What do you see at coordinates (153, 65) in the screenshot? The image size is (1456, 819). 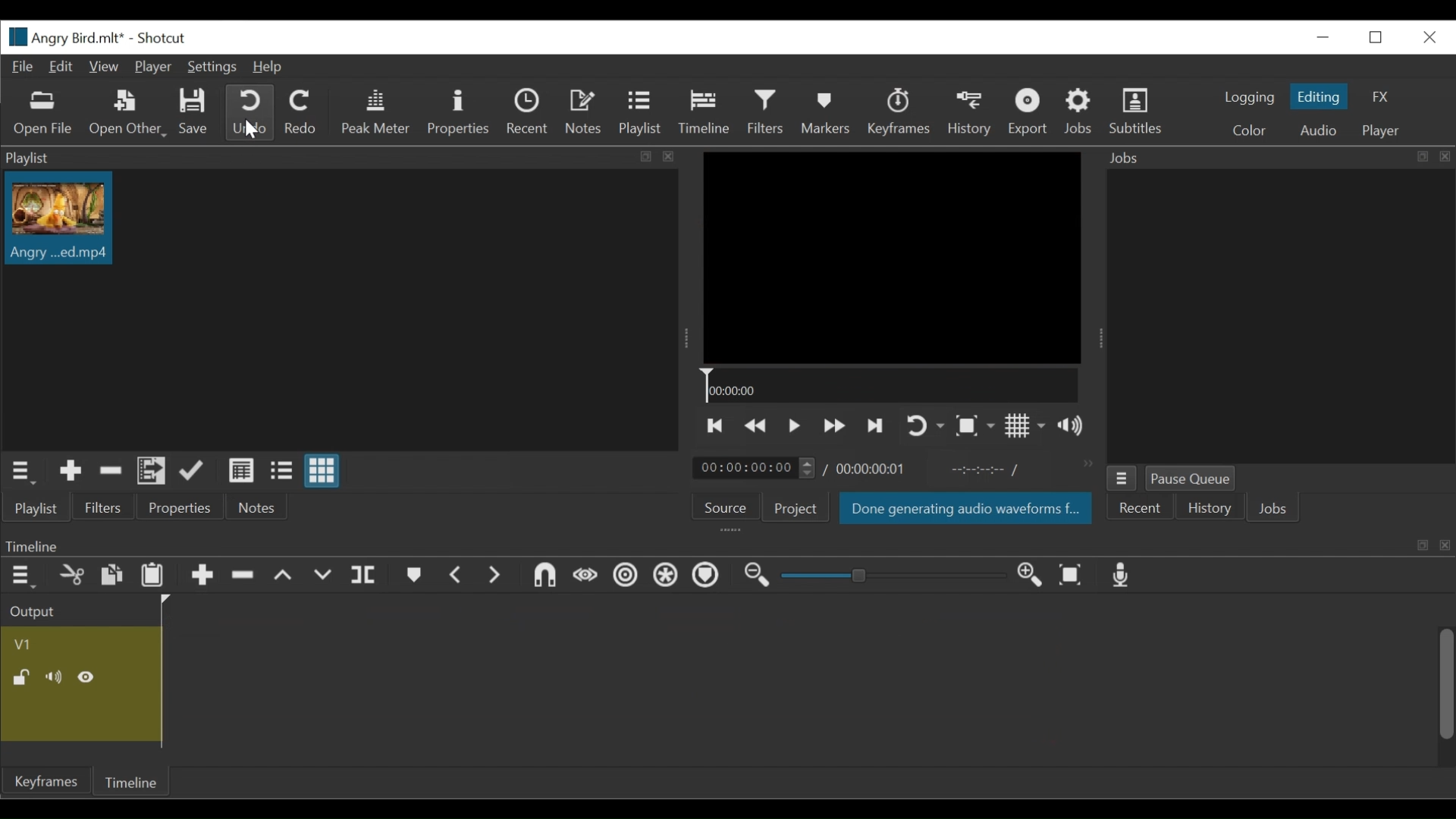 I see `Player` at bounding box center [153, 65].